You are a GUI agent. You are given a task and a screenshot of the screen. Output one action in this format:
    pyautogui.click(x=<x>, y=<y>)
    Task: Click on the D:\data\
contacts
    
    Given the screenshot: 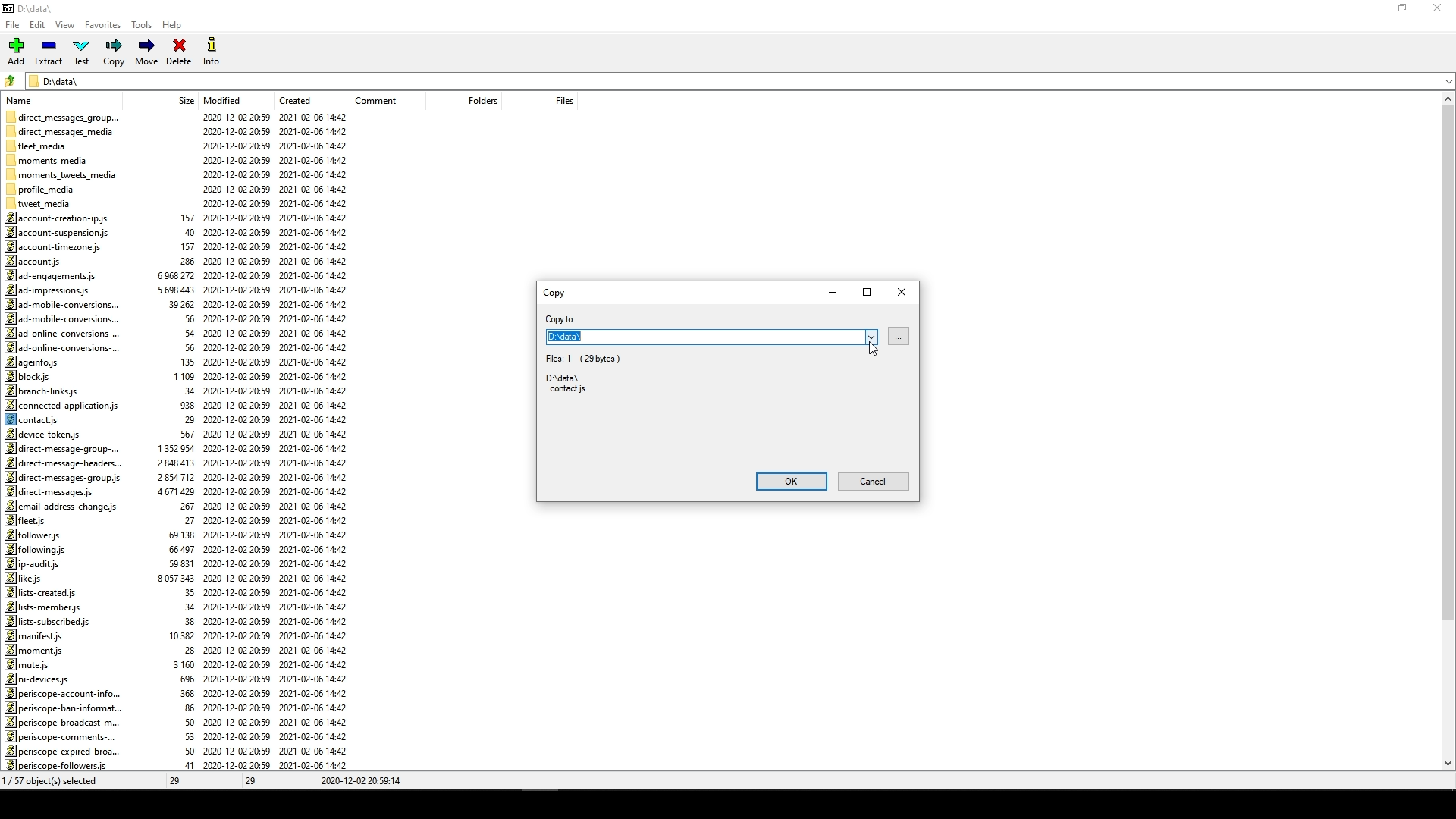 What is the action you would take?
    pyautogui.click(x=565, y=383)
    